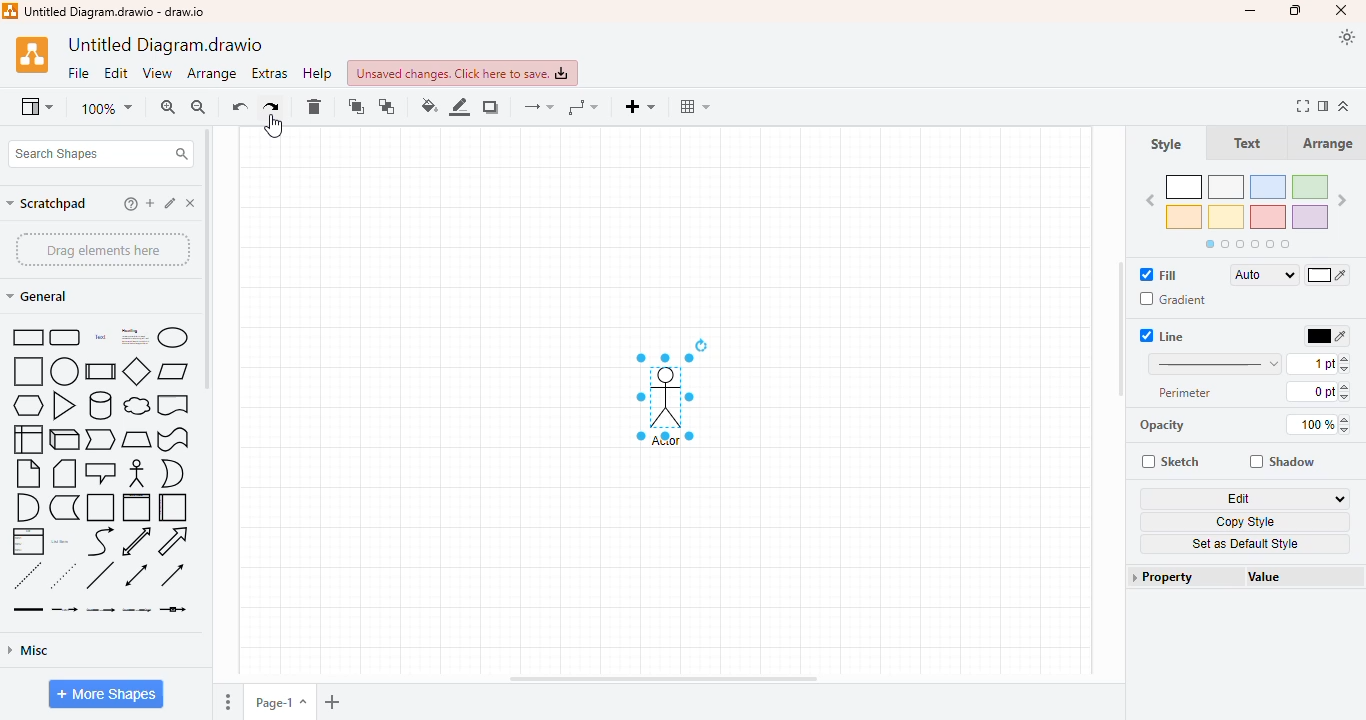 The height and width of the screenshot is (720, 1366). I want to click on options, so click(229, 703).